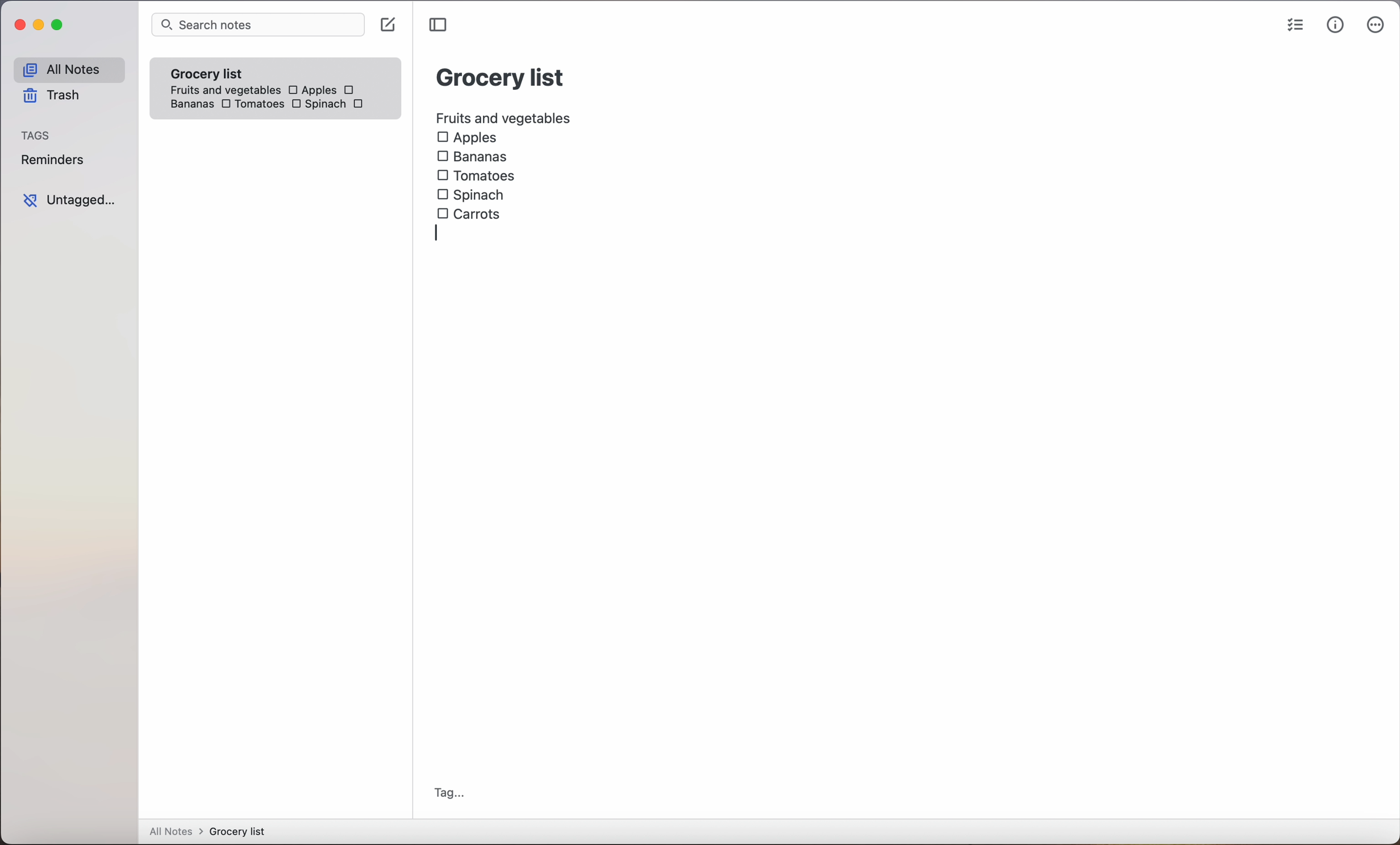 Image resolution: width=1400 pixels, height=845 pixels. What do you see at coordinates (60, 26) in the screenshot?
I see `maximize Simplenote` at bounding box center [60, 26].